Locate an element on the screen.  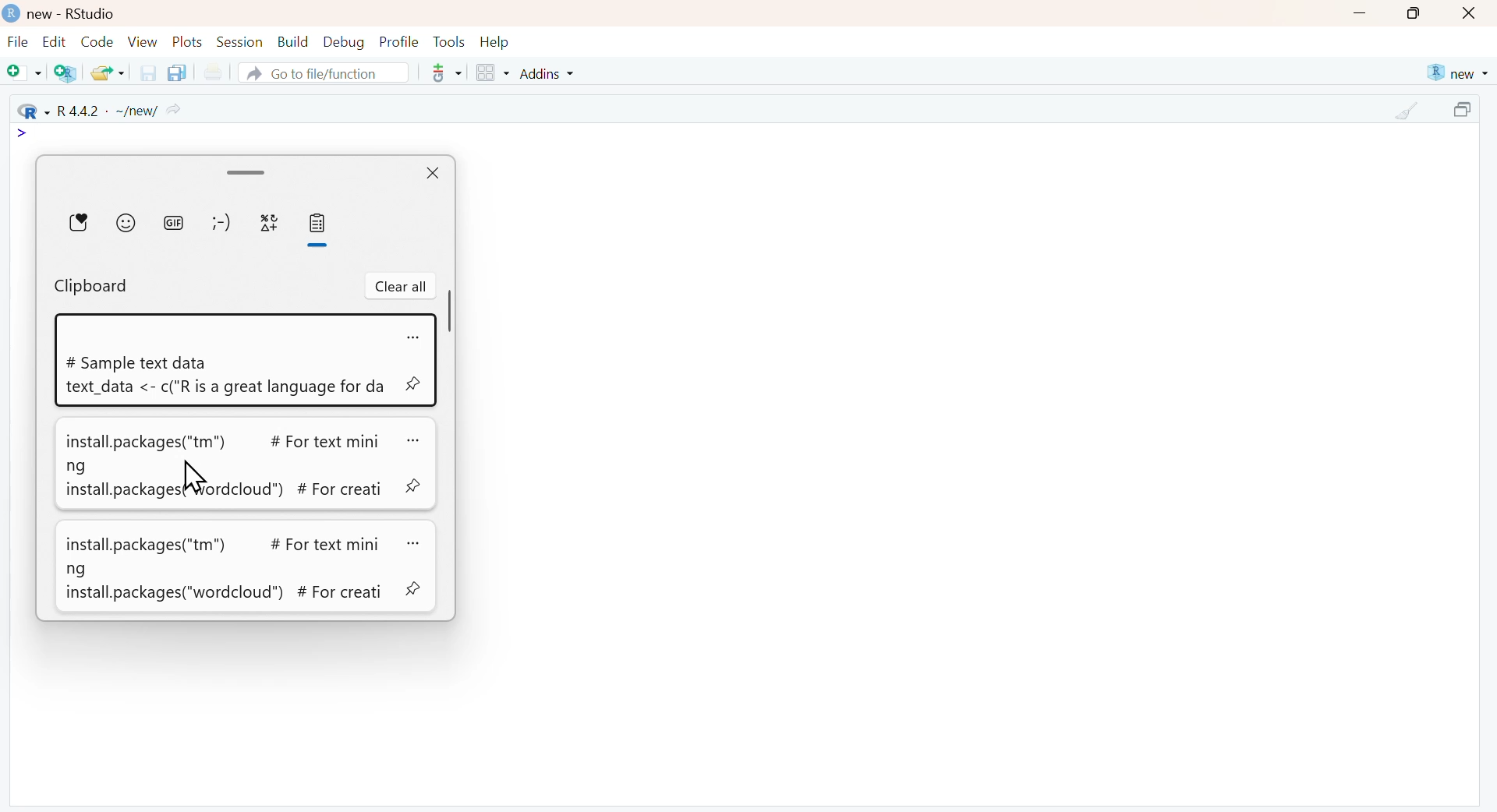
pin is located at coordinates (415, 489).